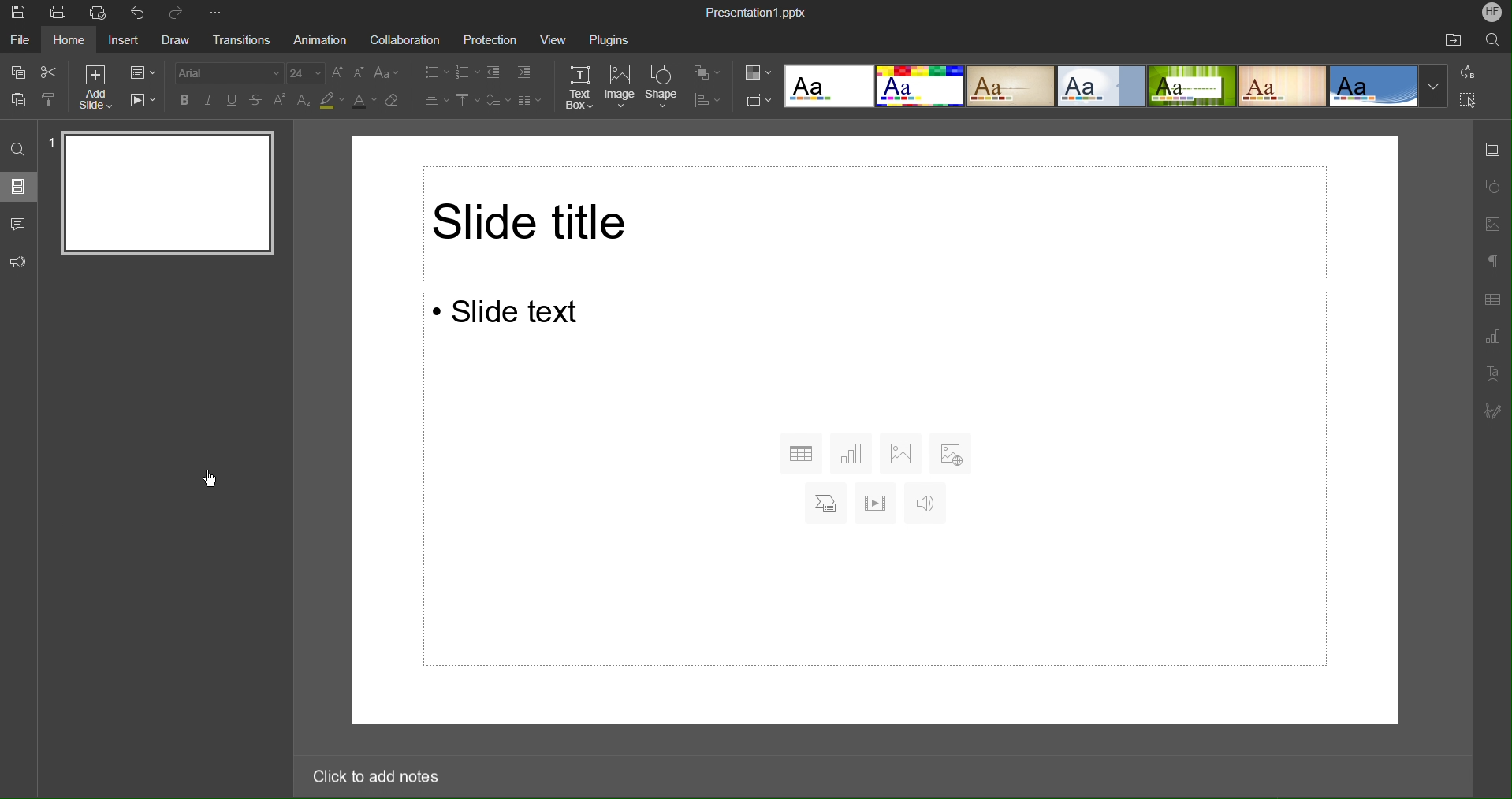 Image resolution: width=1512 pixels, height=799 pixels. I want to click on highlight color, so click(332, 102).